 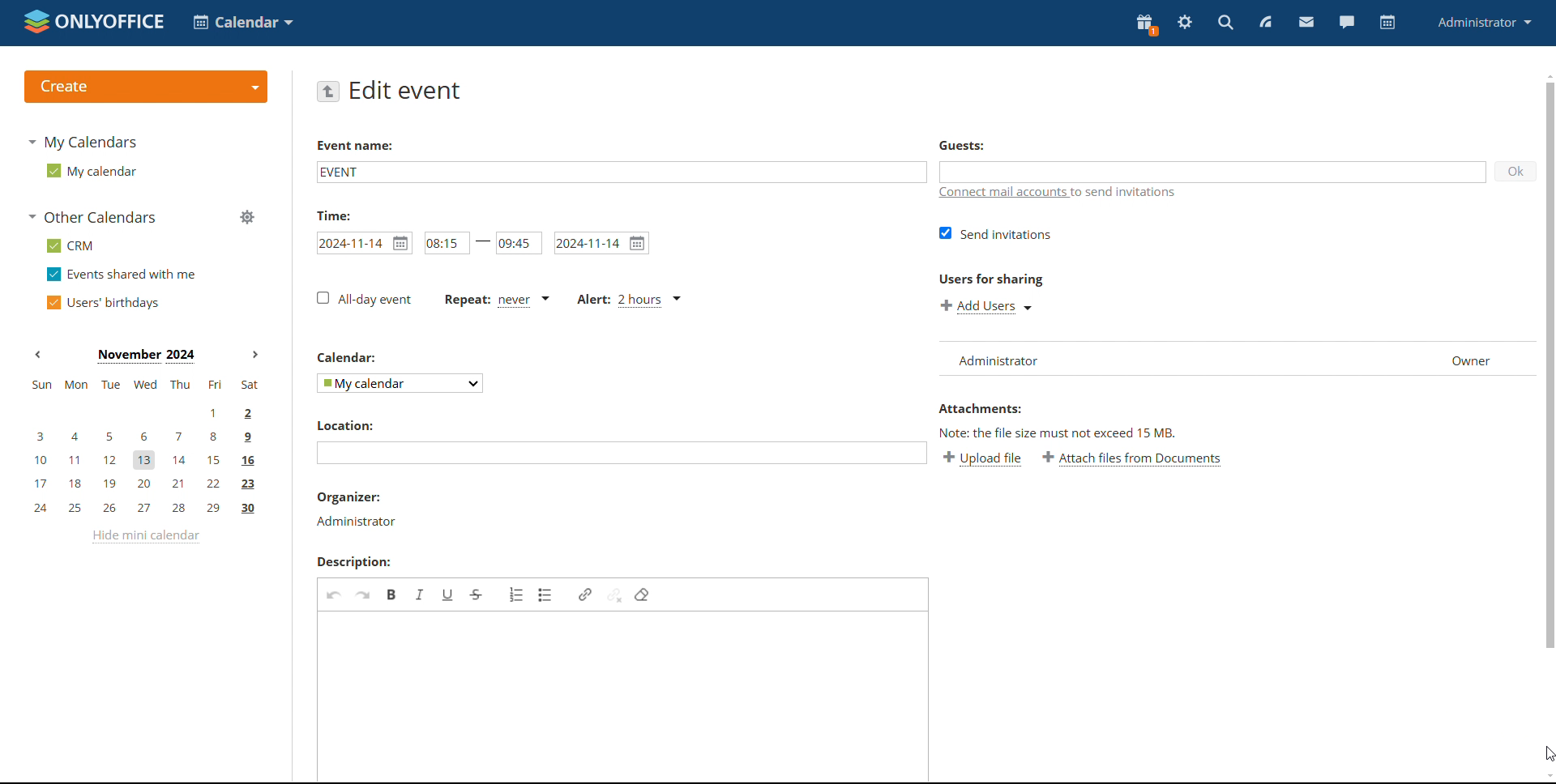 What do you see at coordinates (584, 595) in the screenshot?
I see `link` at bounding box center [584, 595].